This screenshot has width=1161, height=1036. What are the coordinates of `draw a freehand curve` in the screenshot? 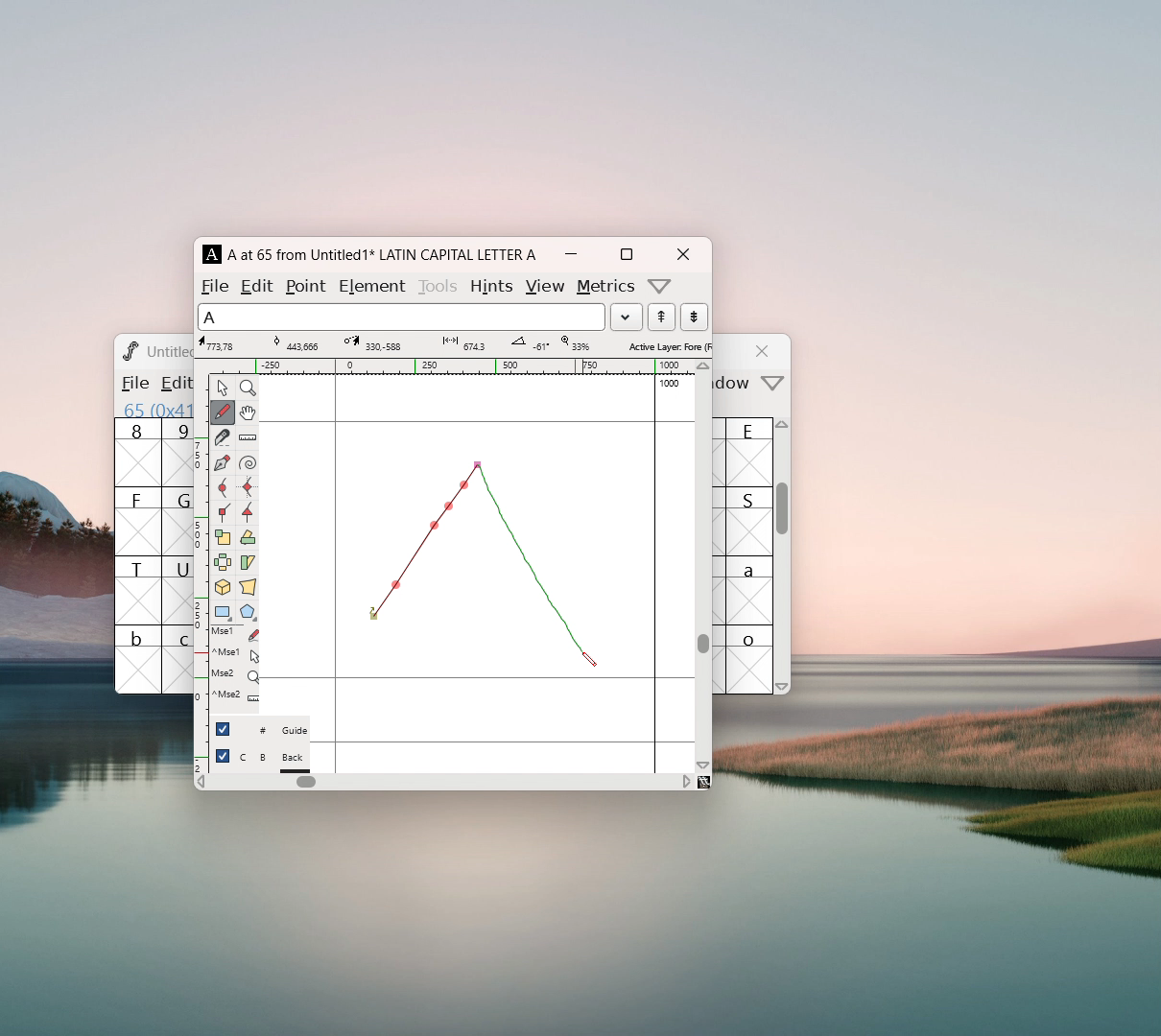 It's located at (223, 412).